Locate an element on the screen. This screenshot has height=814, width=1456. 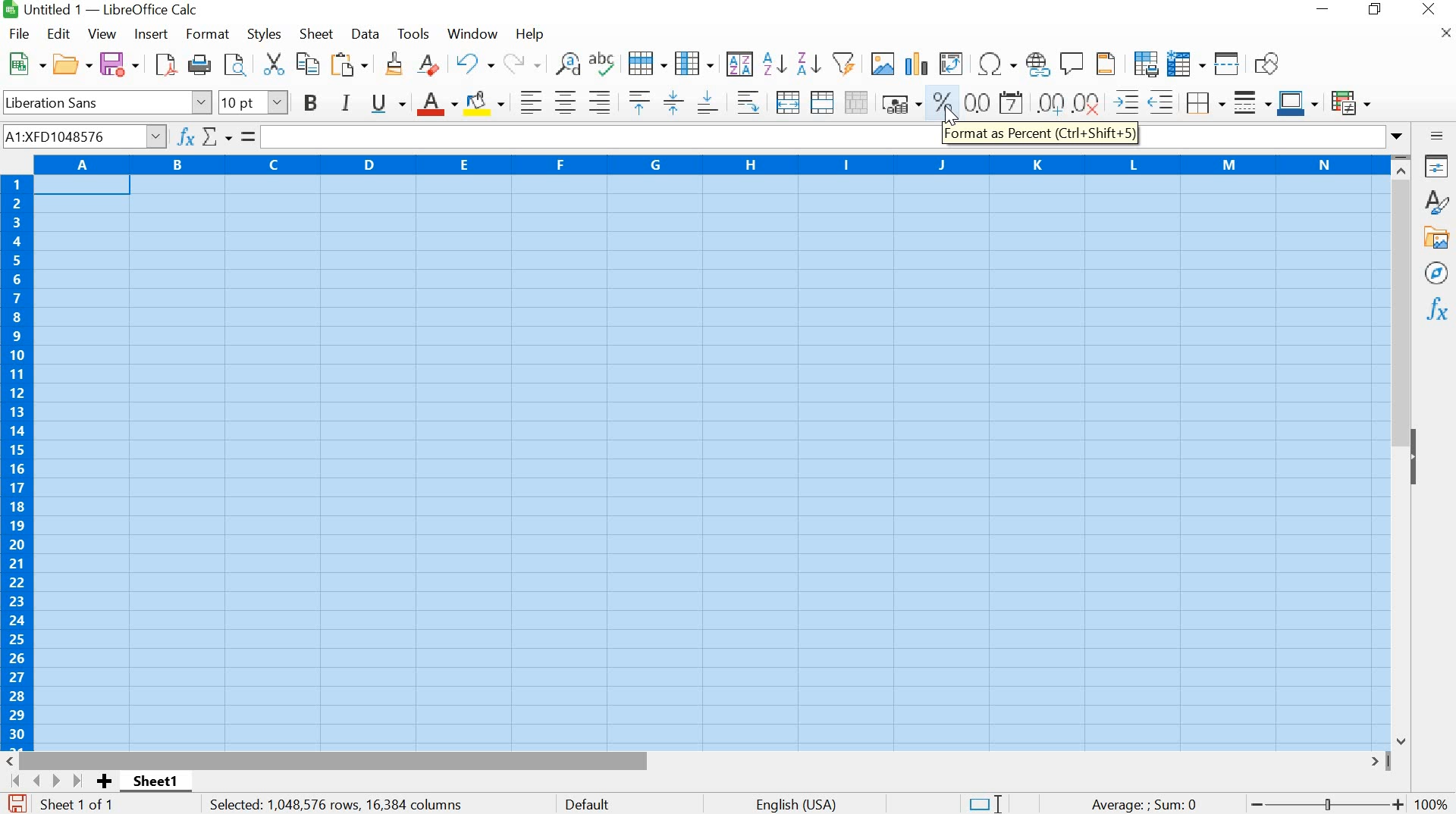
OPEN is located at coordinates (73, 64).